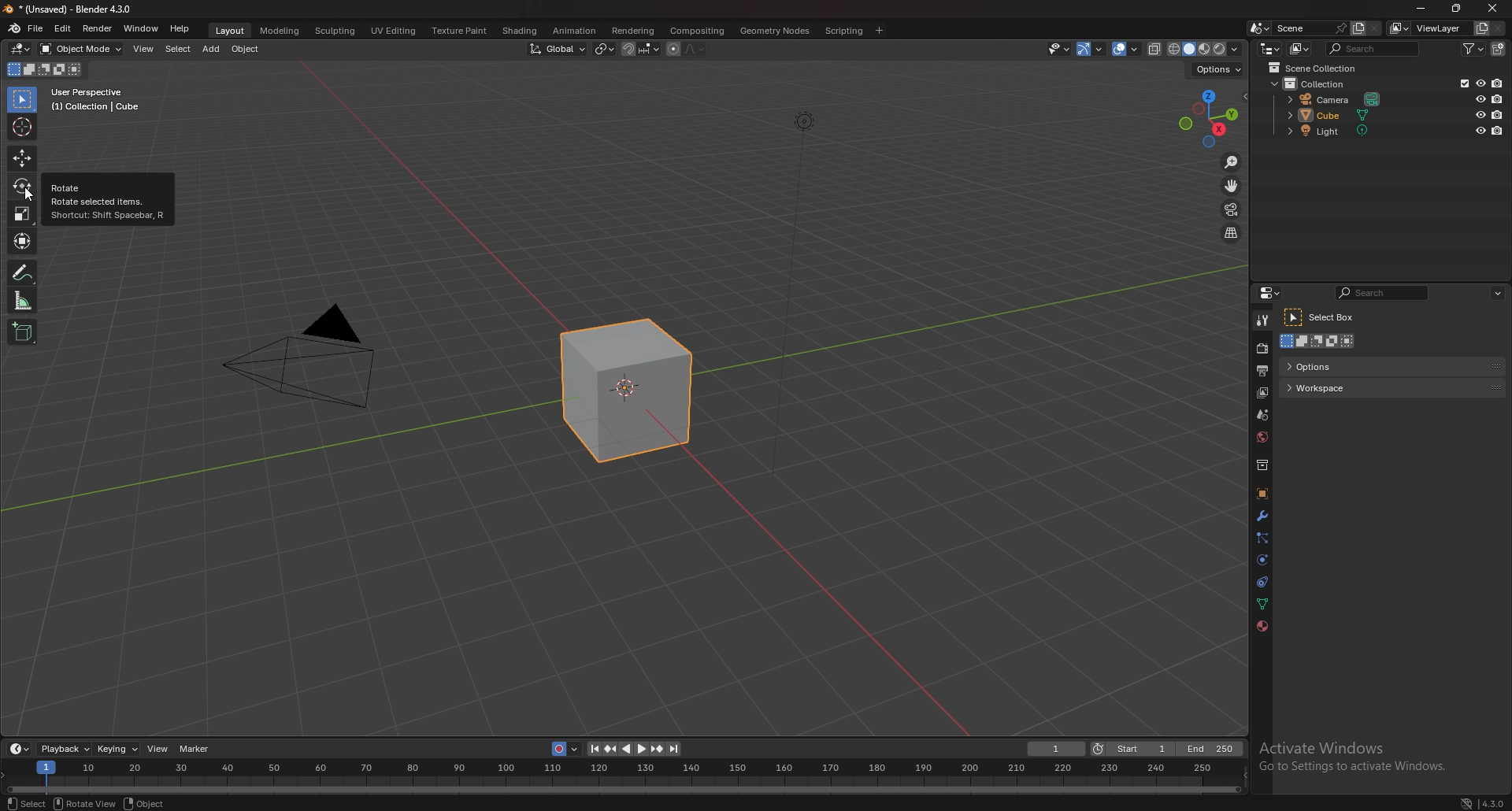  Describe the element at coordinates (1092, 48) in the screenshot. I see `gizmo` at that location.